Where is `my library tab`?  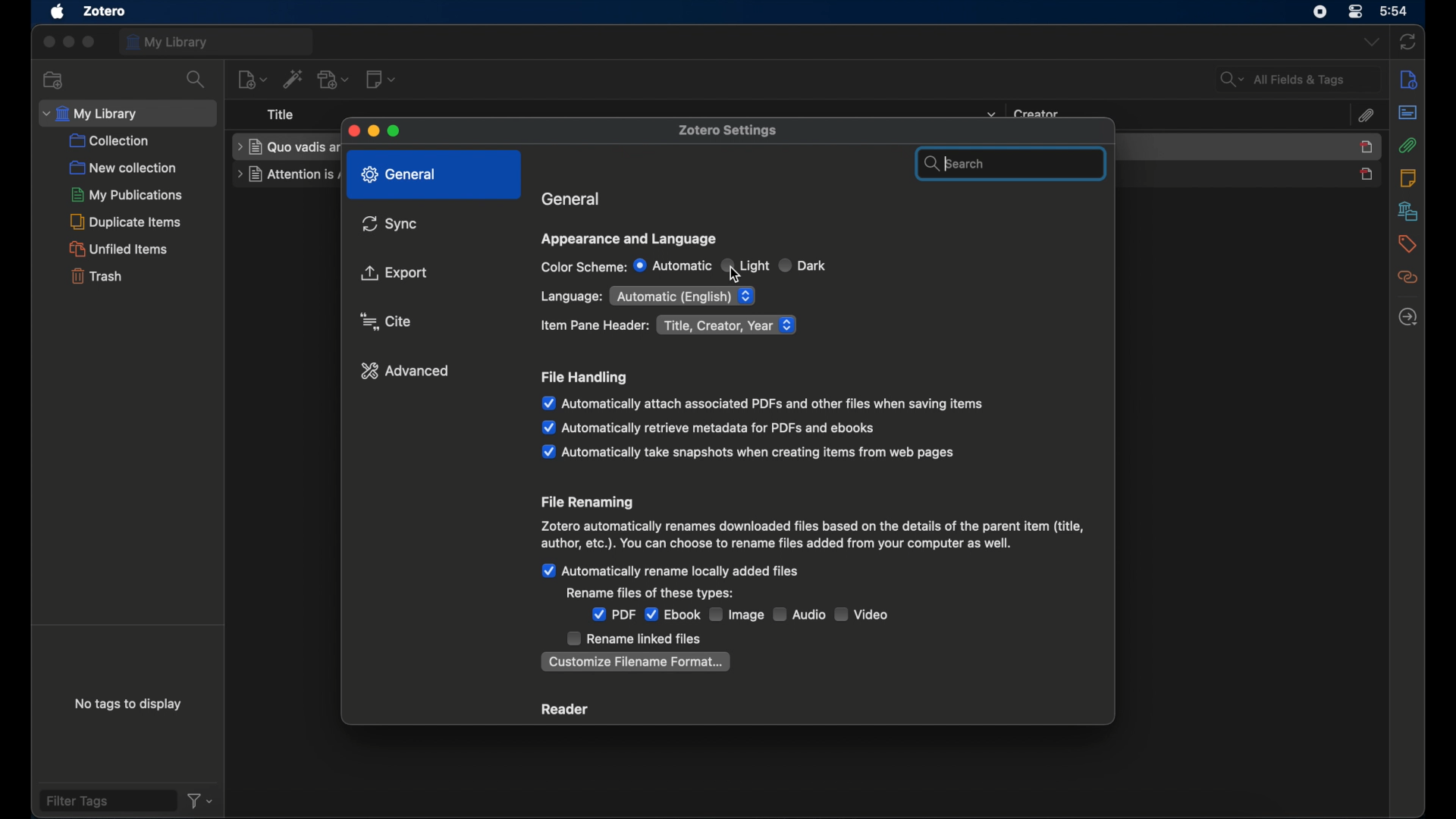
my library tab is located at coordinates (218, 42).